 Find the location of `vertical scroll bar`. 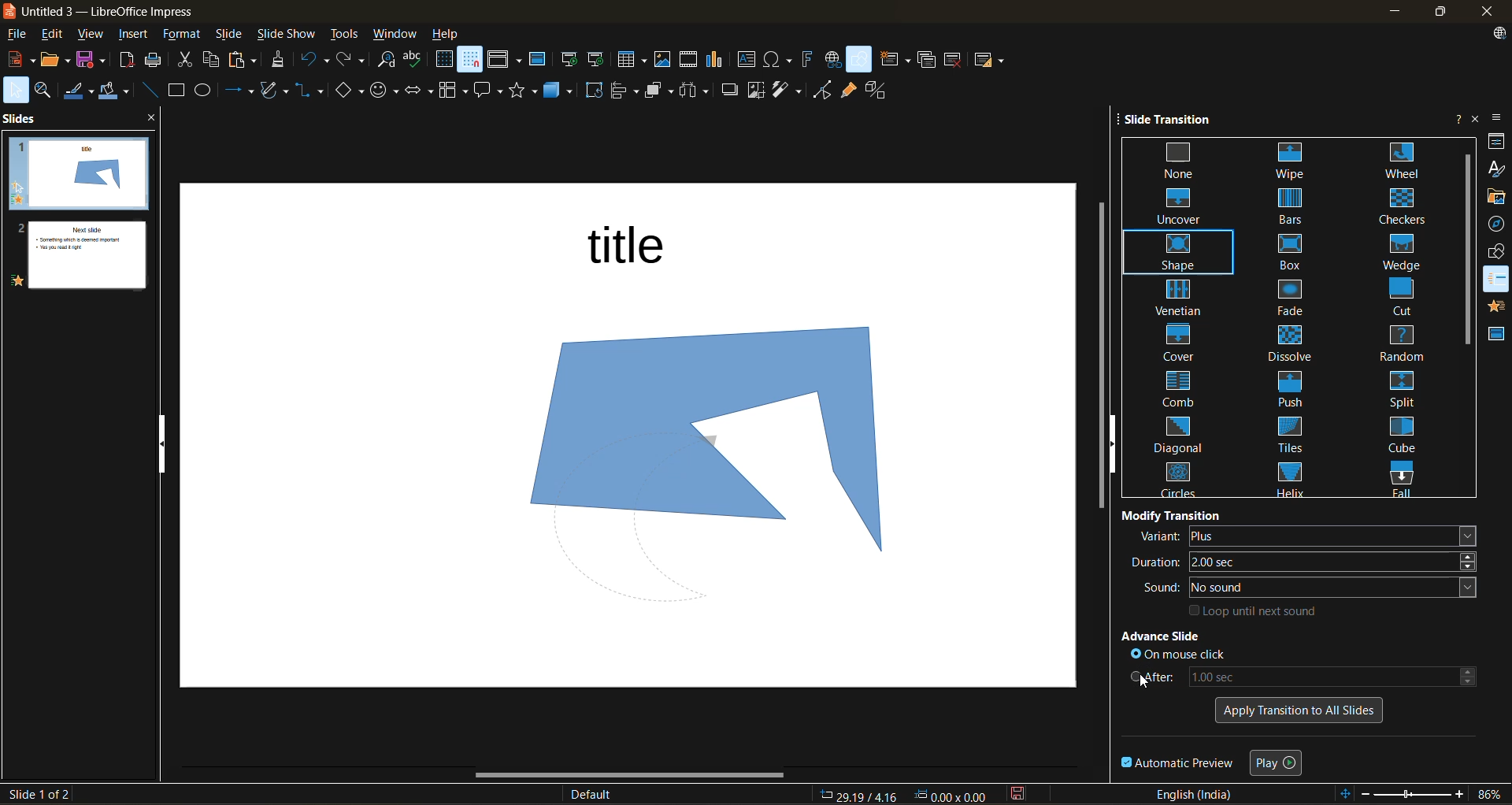

vertical scroll bar is located at coordinates (1099, 360).